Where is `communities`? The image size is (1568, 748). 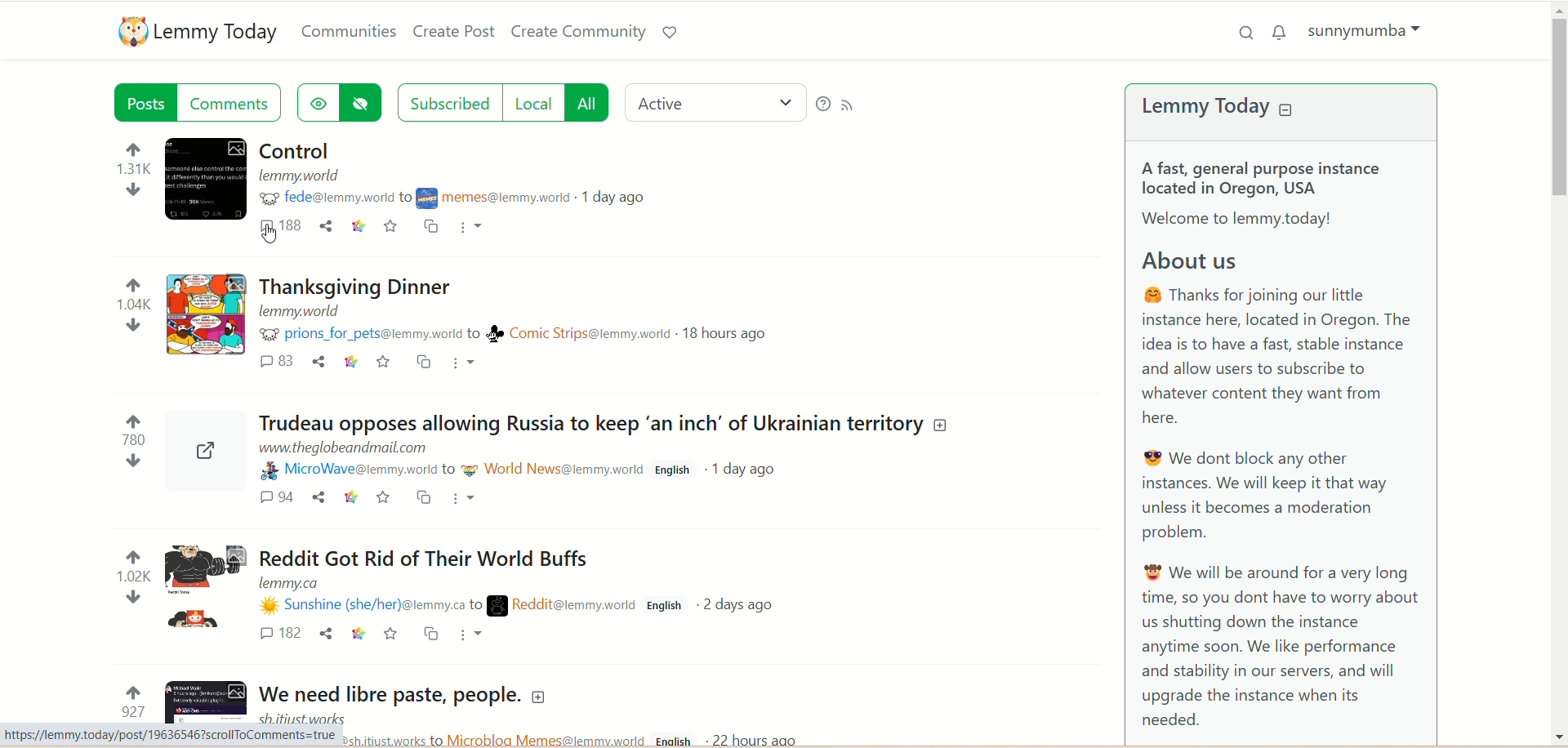
communities is located at coordinates (350, 32).